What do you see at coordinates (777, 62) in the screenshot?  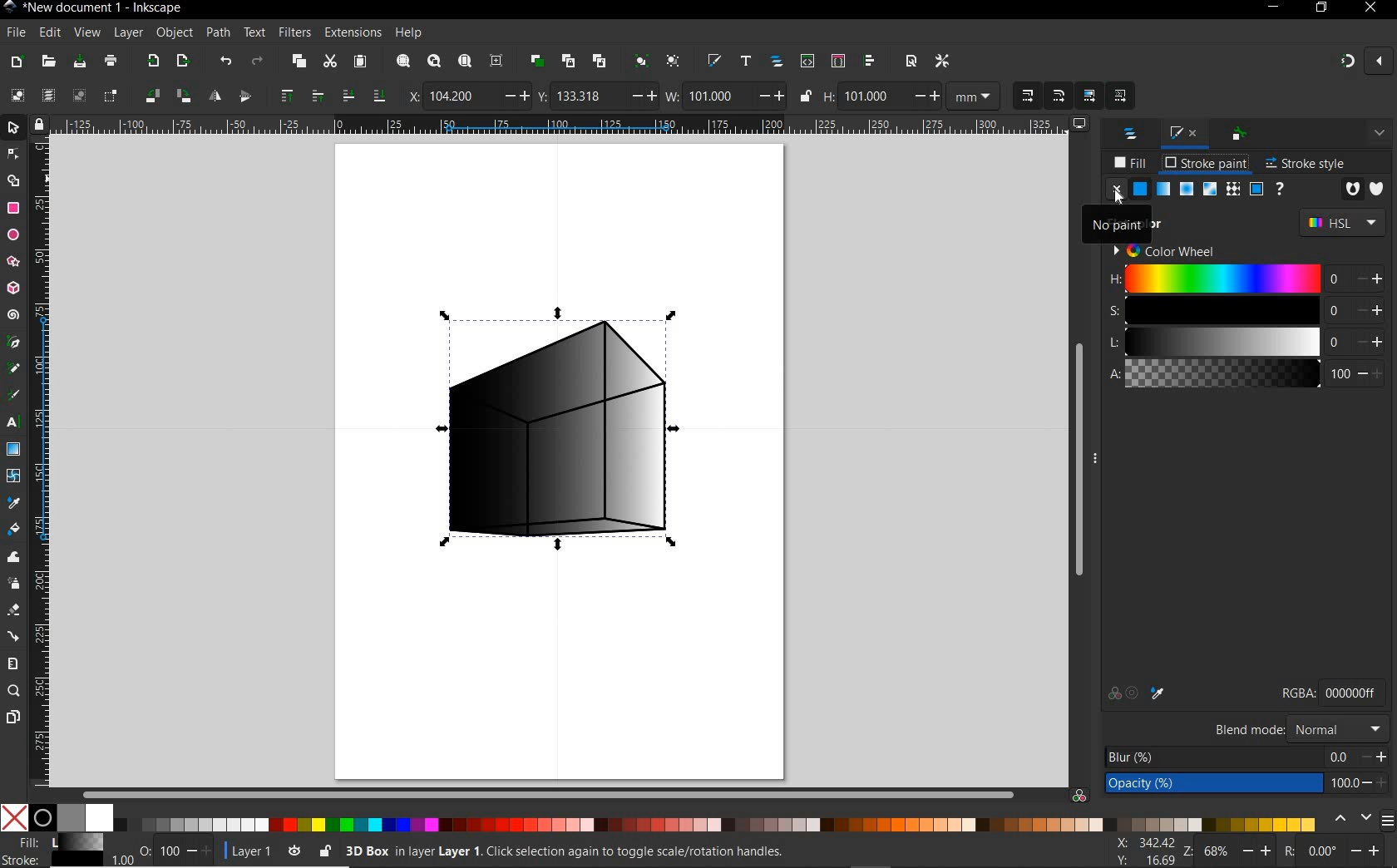 I see `OPEN OBJECTS` at bounding box center [777, 62].